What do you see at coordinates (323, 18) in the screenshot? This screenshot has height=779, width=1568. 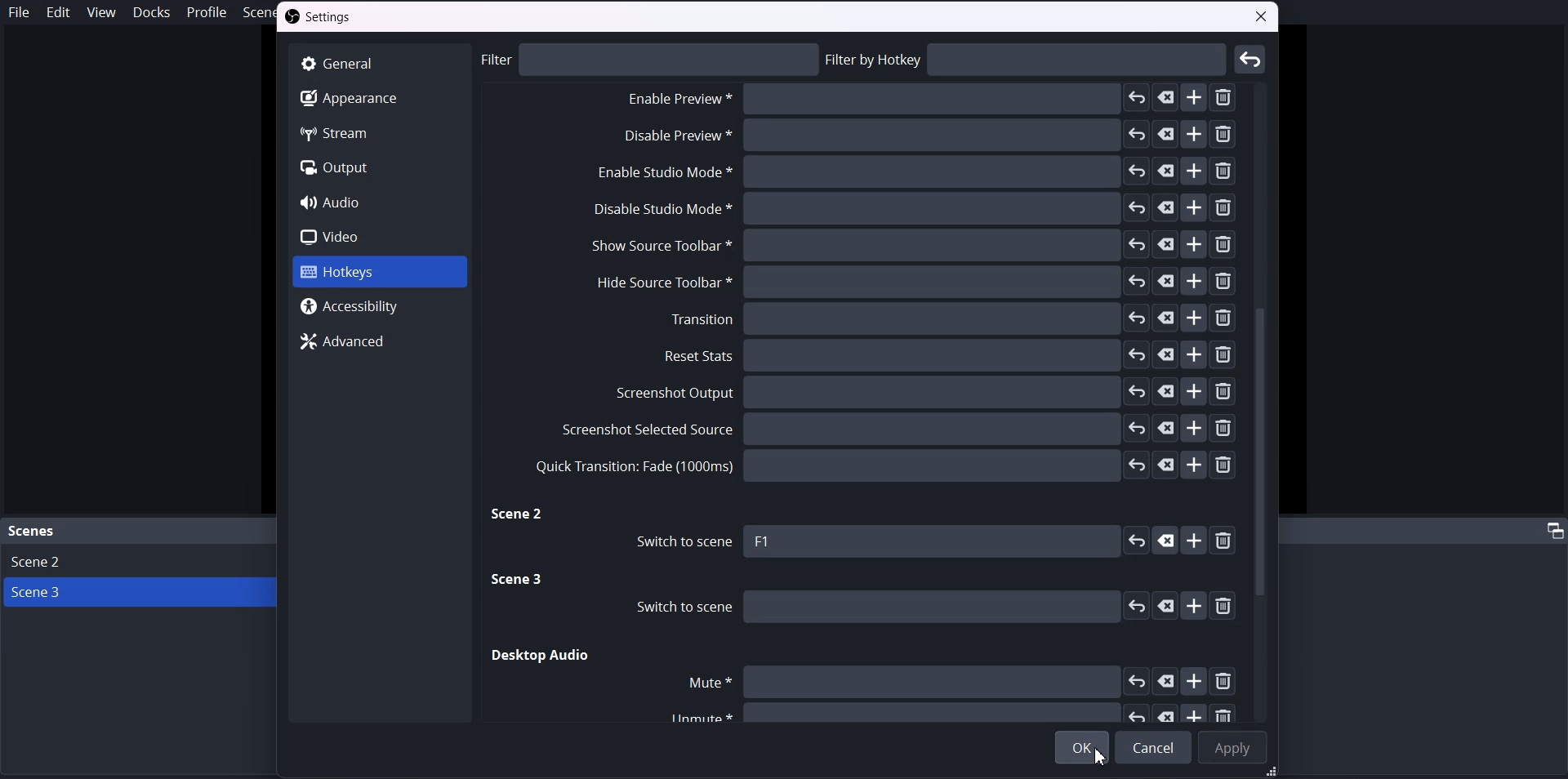 I see `Settings` at bounding box center [323, 18].